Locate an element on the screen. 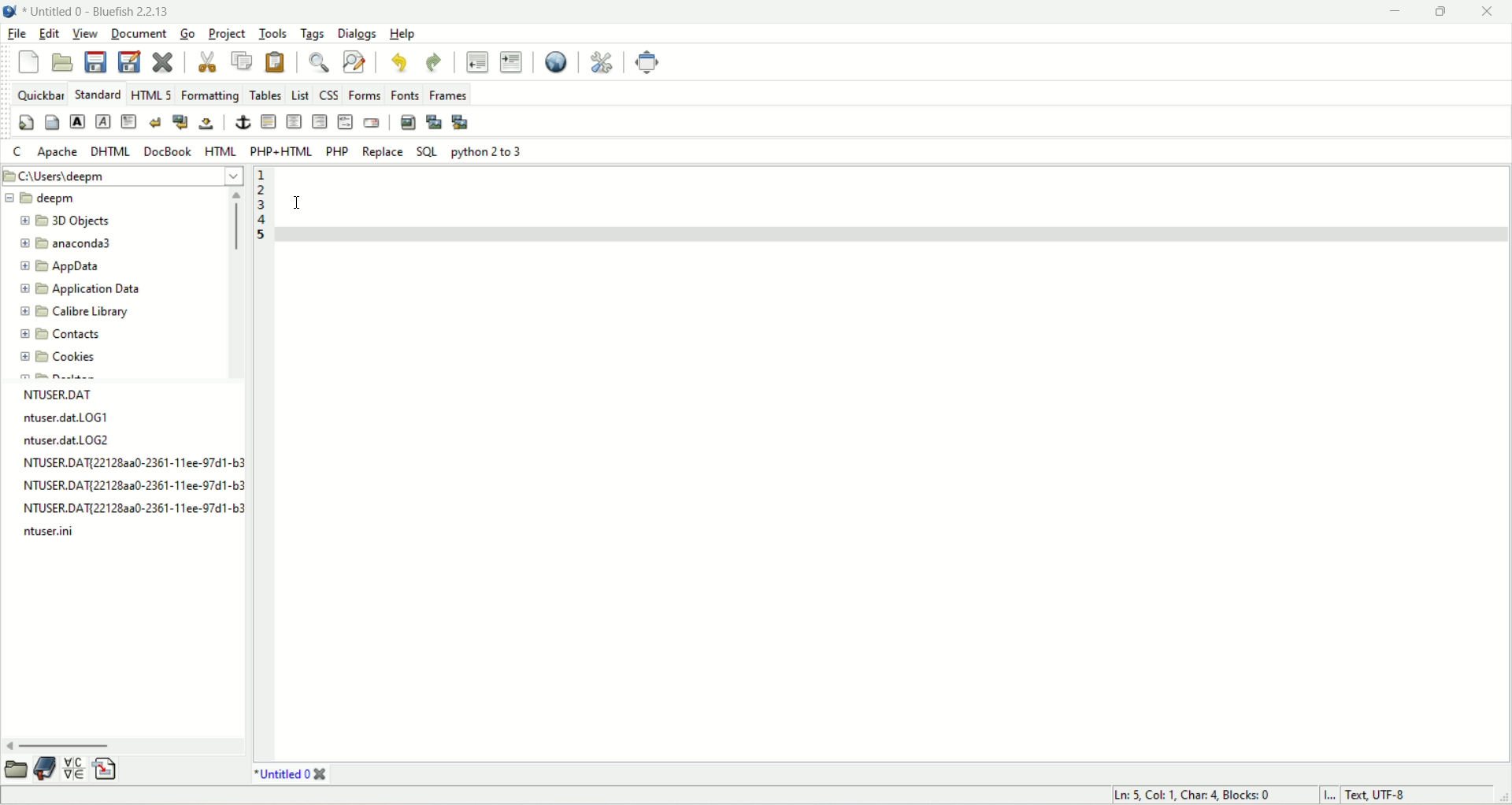 The width and height of the screenshot is (1512, 805). advance find and replace is located at coordinates (352, 62).